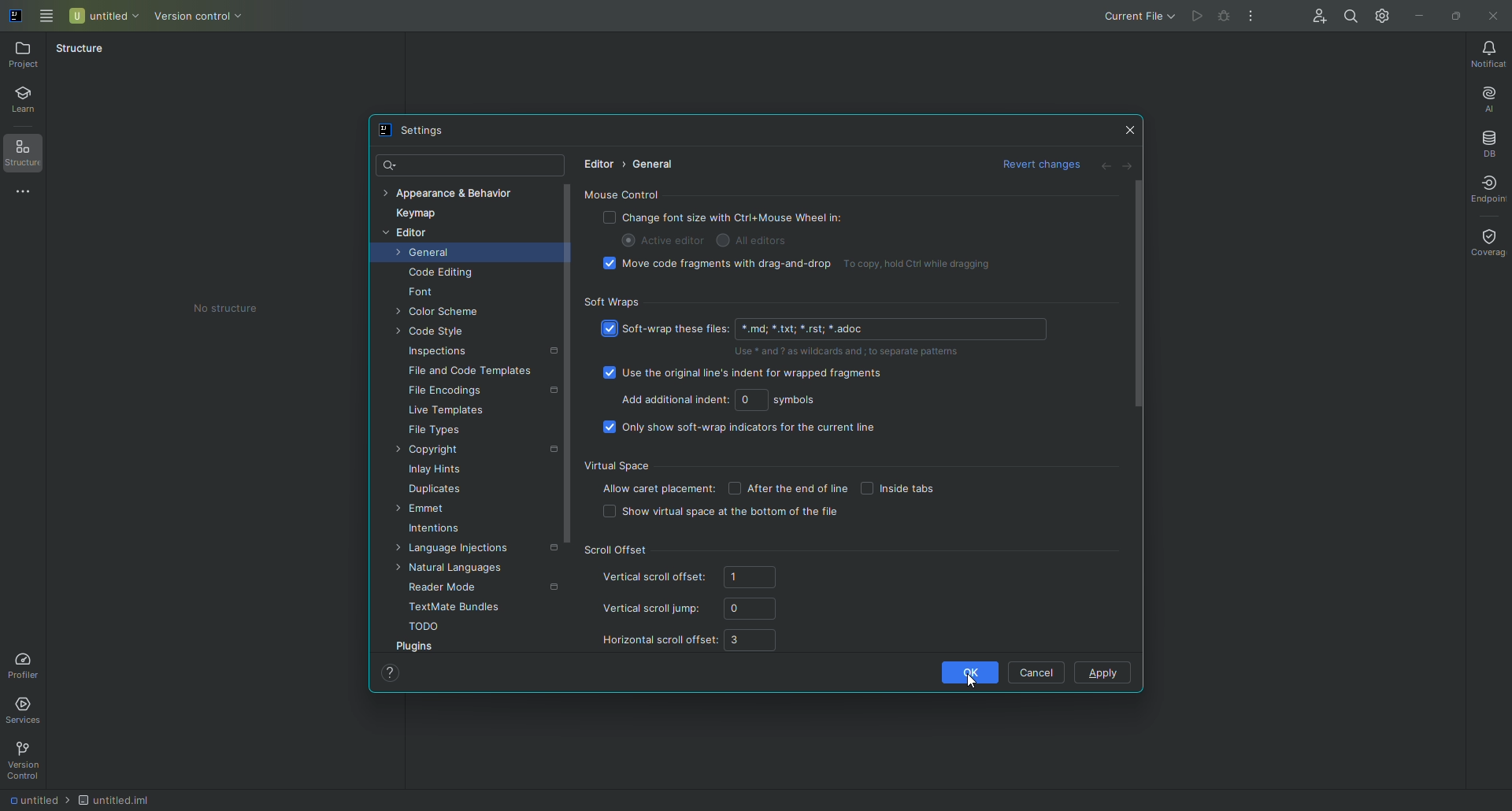 The width and height of the screenshot is (1512, 811). I want to click on Structure, so click(83, 48).